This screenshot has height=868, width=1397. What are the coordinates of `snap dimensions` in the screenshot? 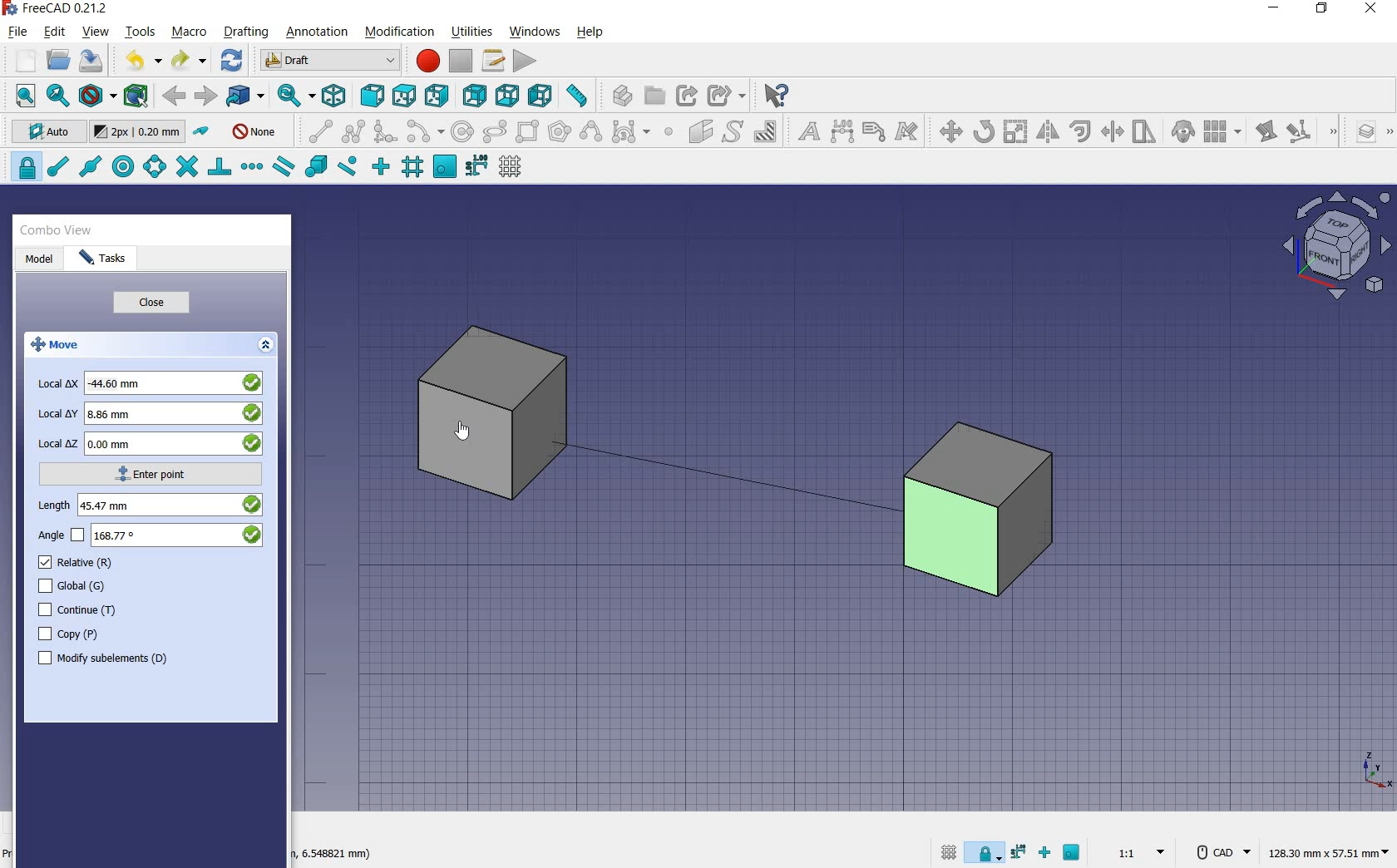 It's located at (1019, 851).